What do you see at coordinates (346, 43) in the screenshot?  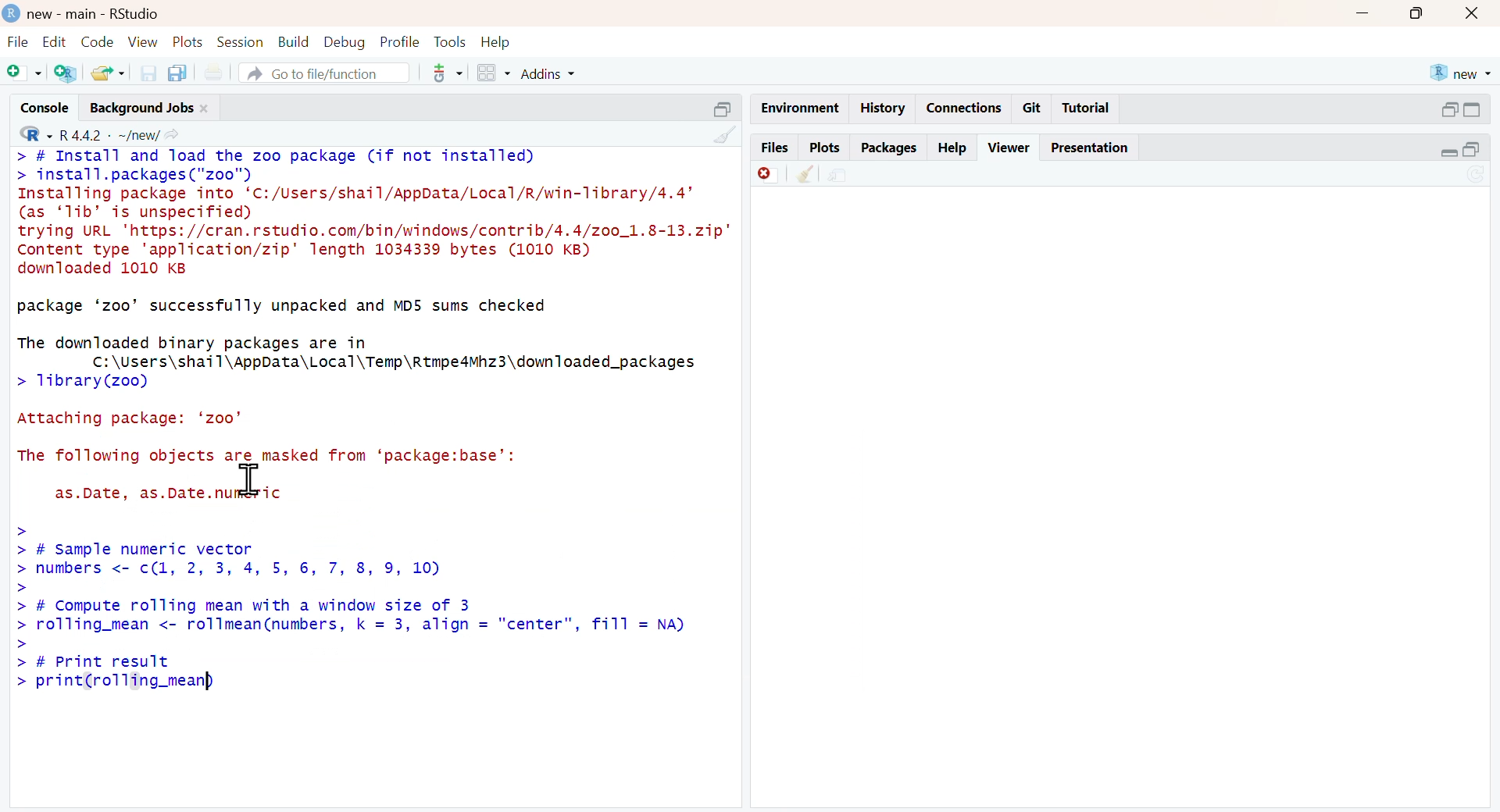 I see `debug` at bounding box center [346, 43].